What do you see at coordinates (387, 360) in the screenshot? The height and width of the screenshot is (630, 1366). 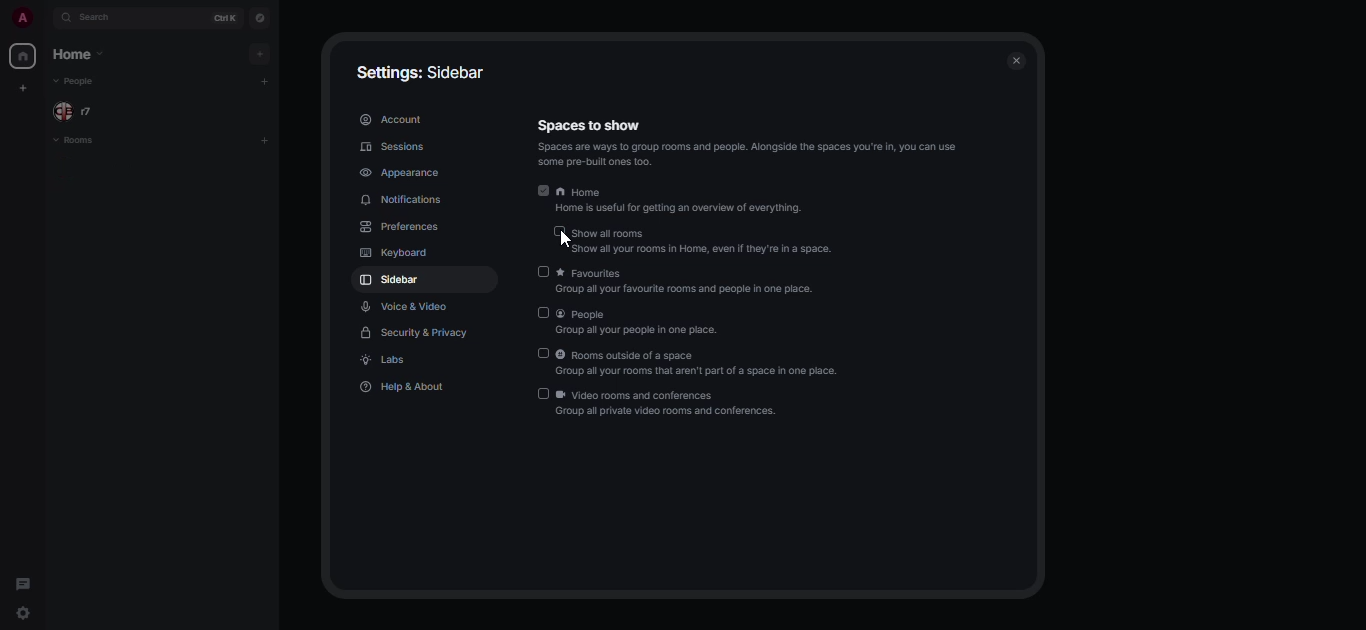 I see `labs` at bounding box center [387, 360].